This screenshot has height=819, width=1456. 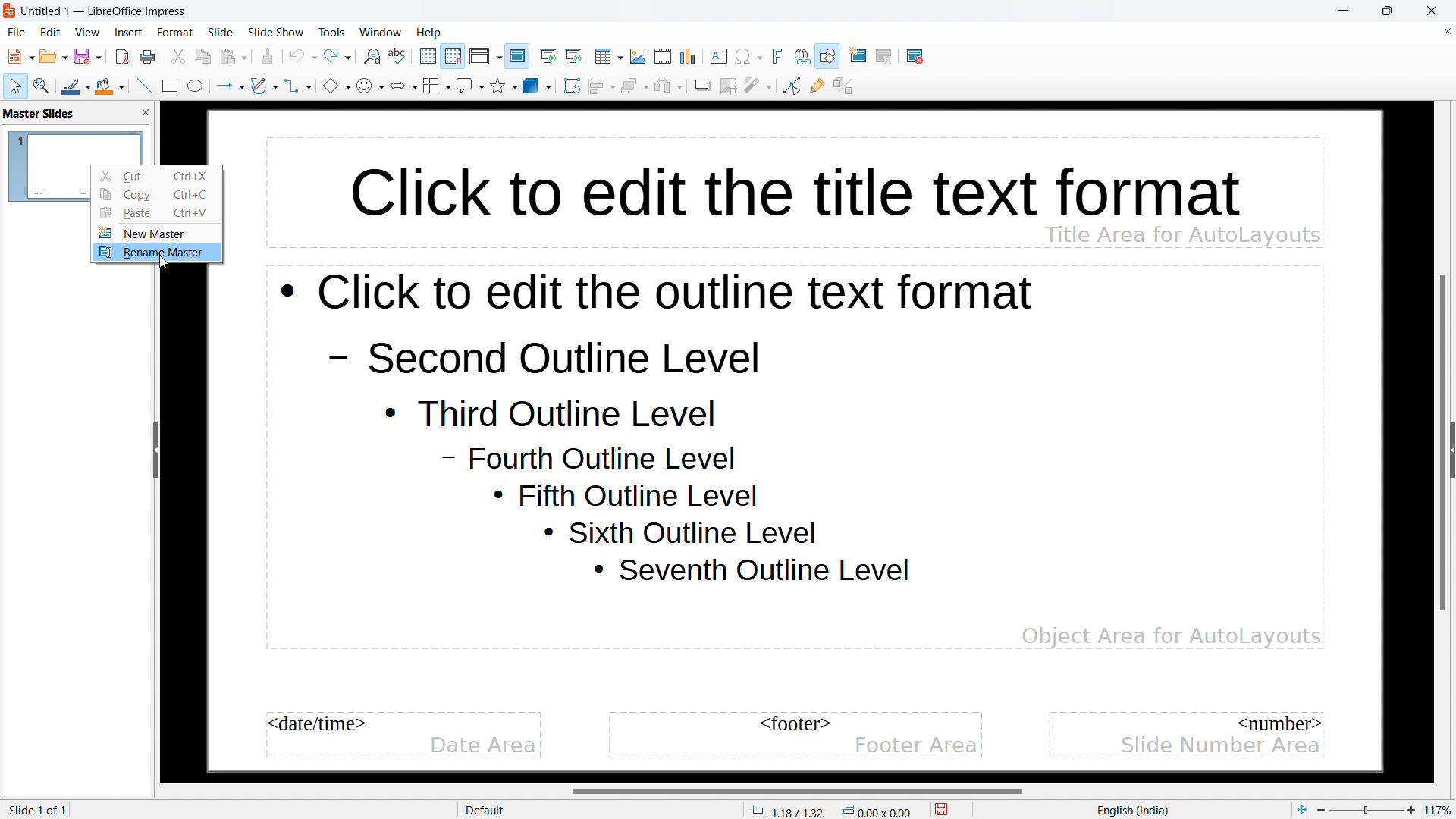 I want to click on click to edit the title text format, so click(x=763, y=180).